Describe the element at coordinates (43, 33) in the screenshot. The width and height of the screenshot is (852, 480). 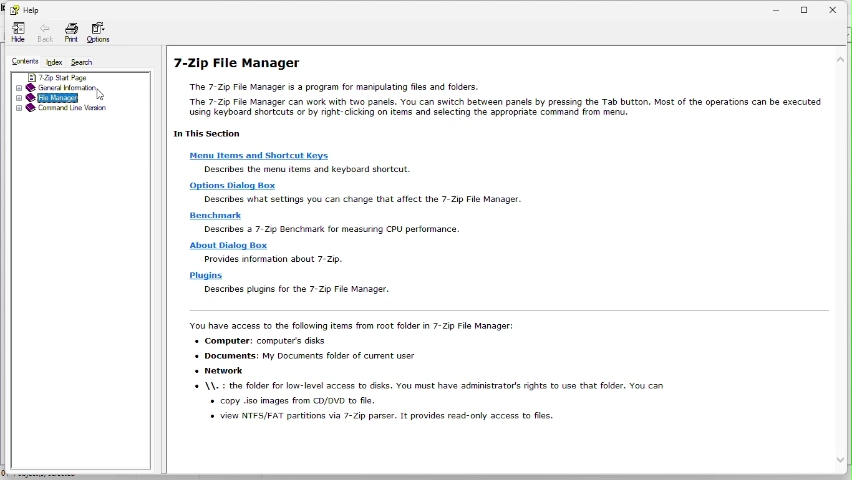
I see `Back` at that location.